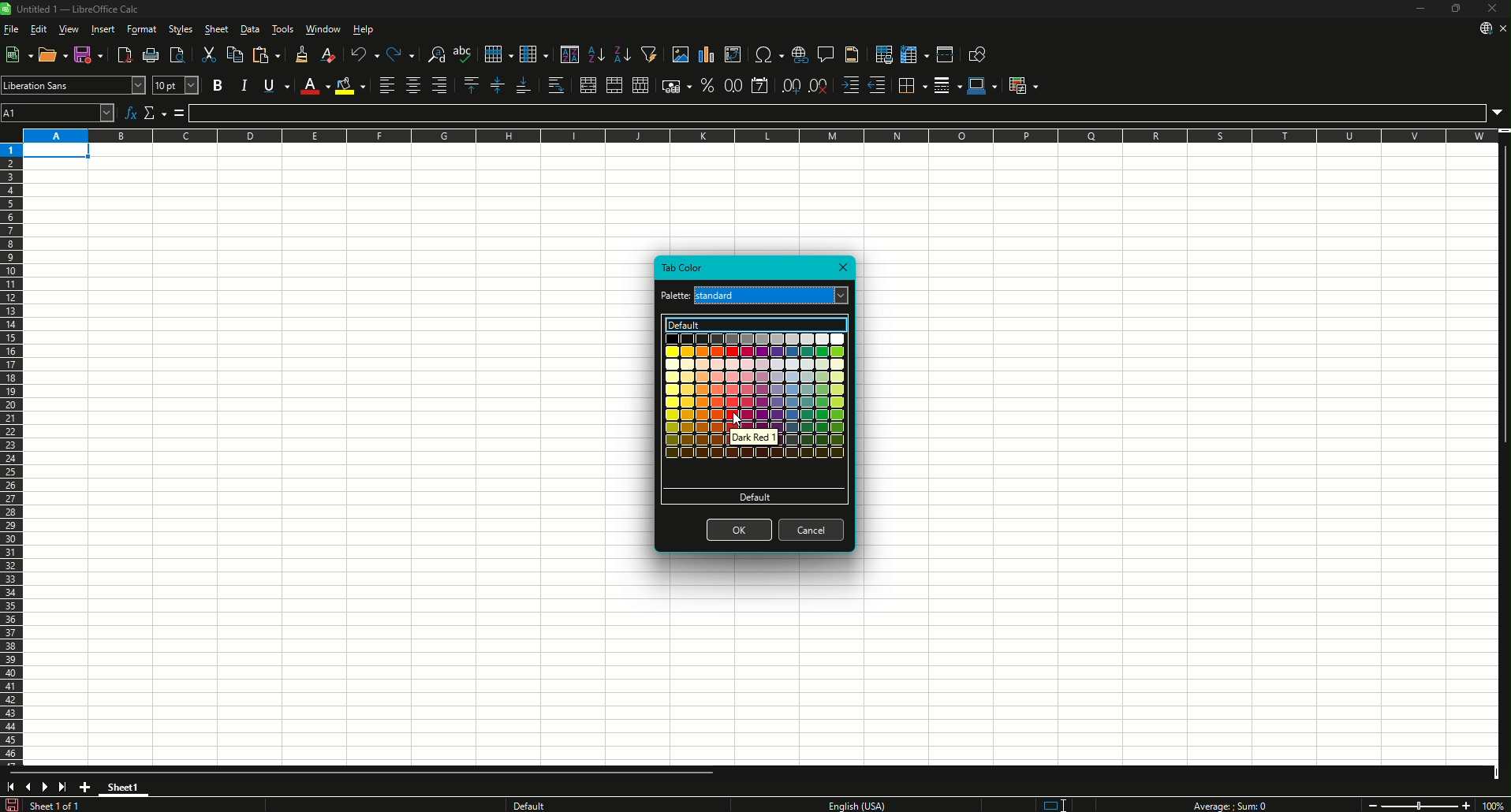 This screenshot has height=812, width=1511. Describe the element at coordinates (1456, 8) in the screenshot. I see `Restore` at that location.